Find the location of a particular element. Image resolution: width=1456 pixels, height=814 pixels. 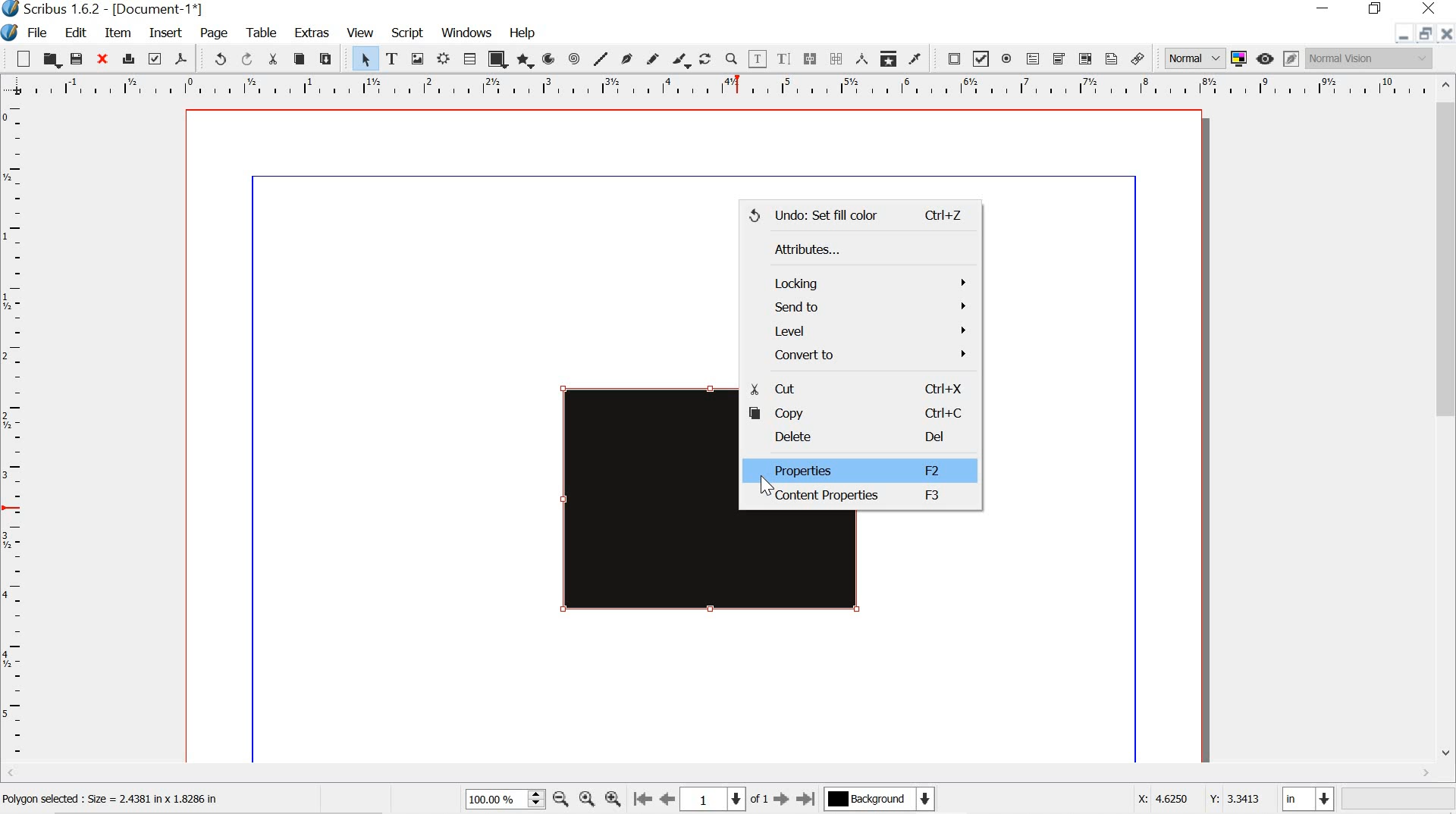

zoom out is located at coordinates (560, 800).